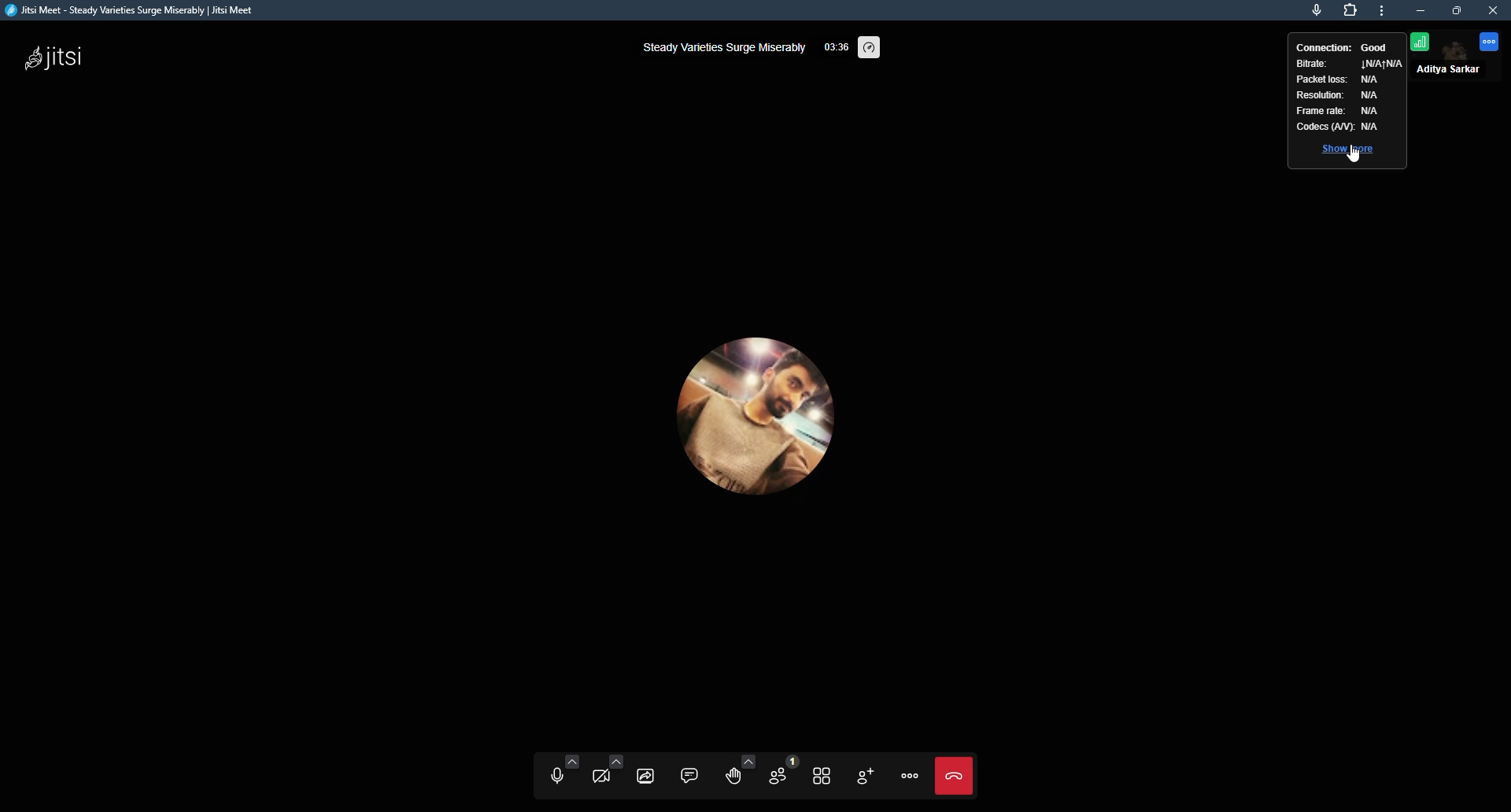 Image resolution: width=1511 pixels, height=812 pixels. Describe the element at coordinates (779, 773) in the screenshot. I see `participants` at that location.